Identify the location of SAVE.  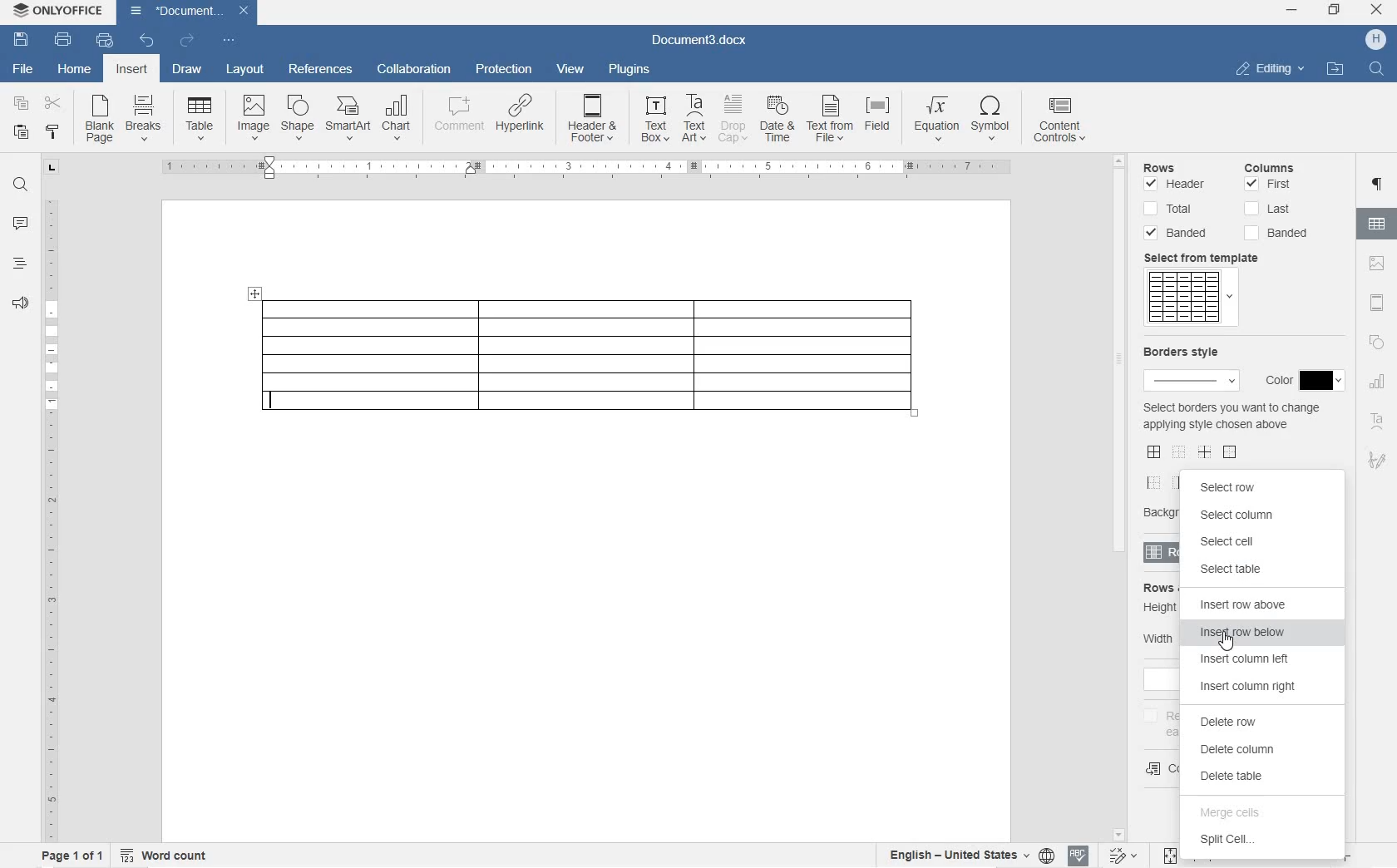
(21, 42).